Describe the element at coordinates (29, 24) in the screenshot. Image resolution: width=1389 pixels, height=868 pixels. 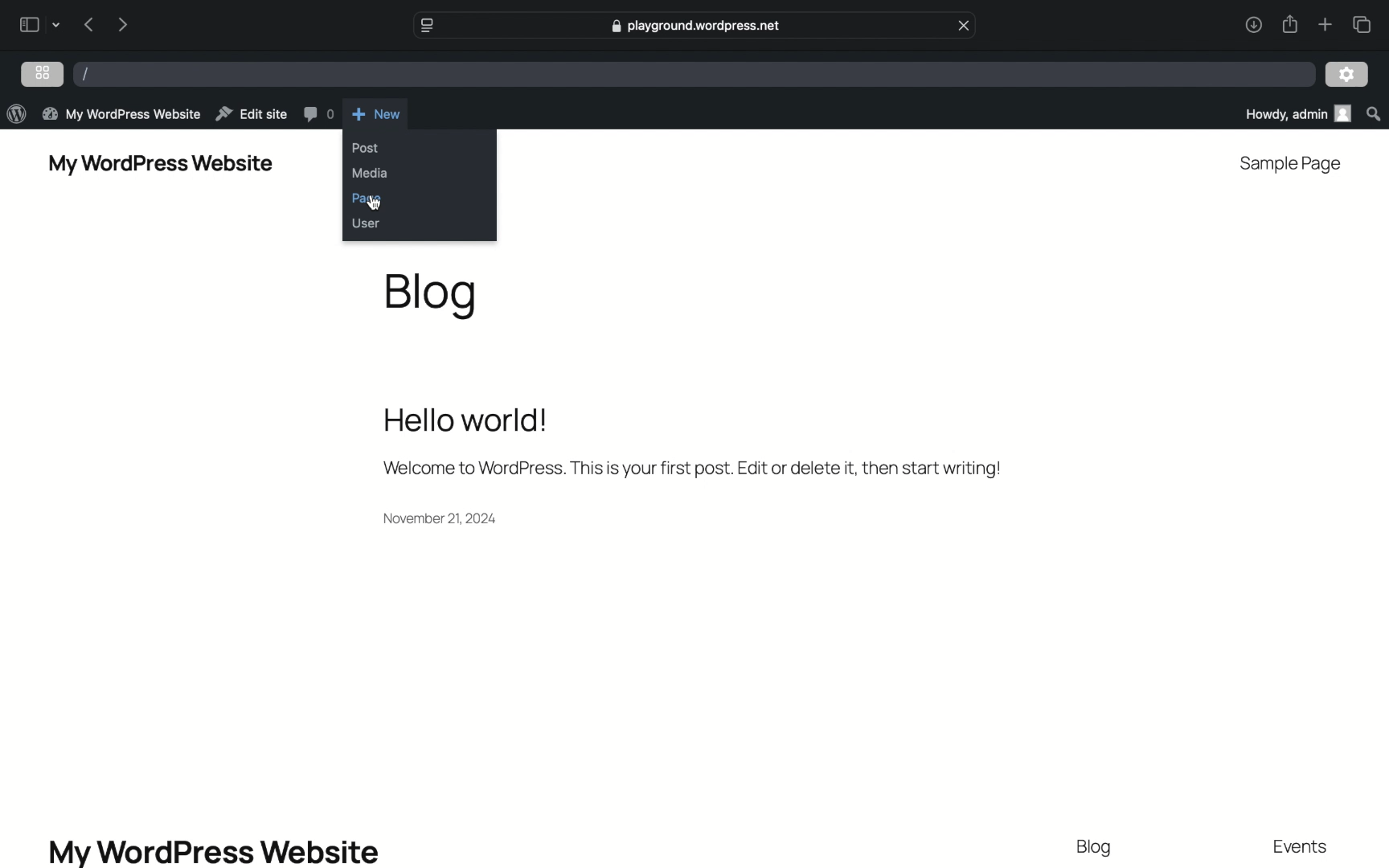
I see `sidebar` at that location.